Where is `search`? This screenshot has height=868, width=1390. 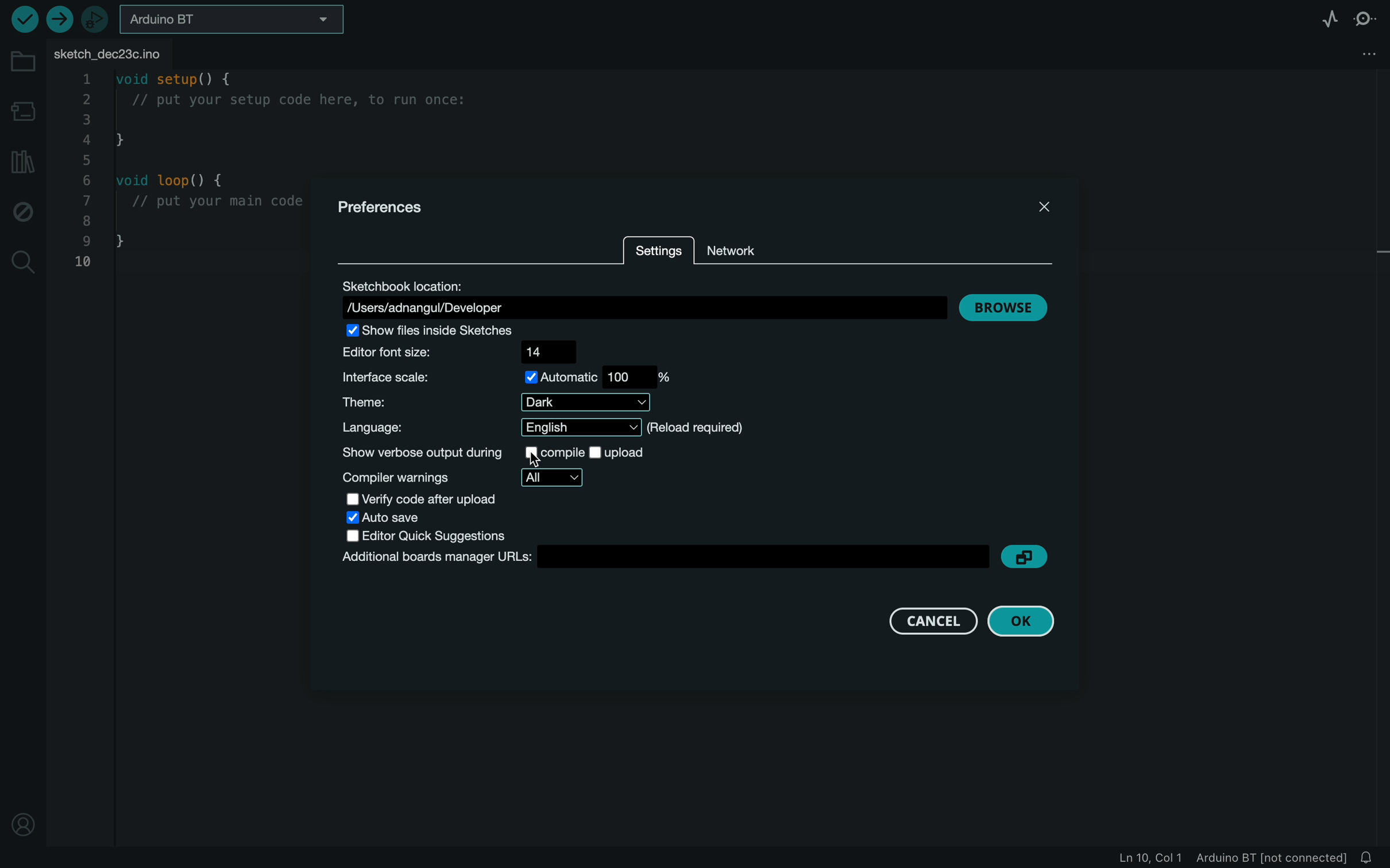 search is located at coordinates (23, 263).